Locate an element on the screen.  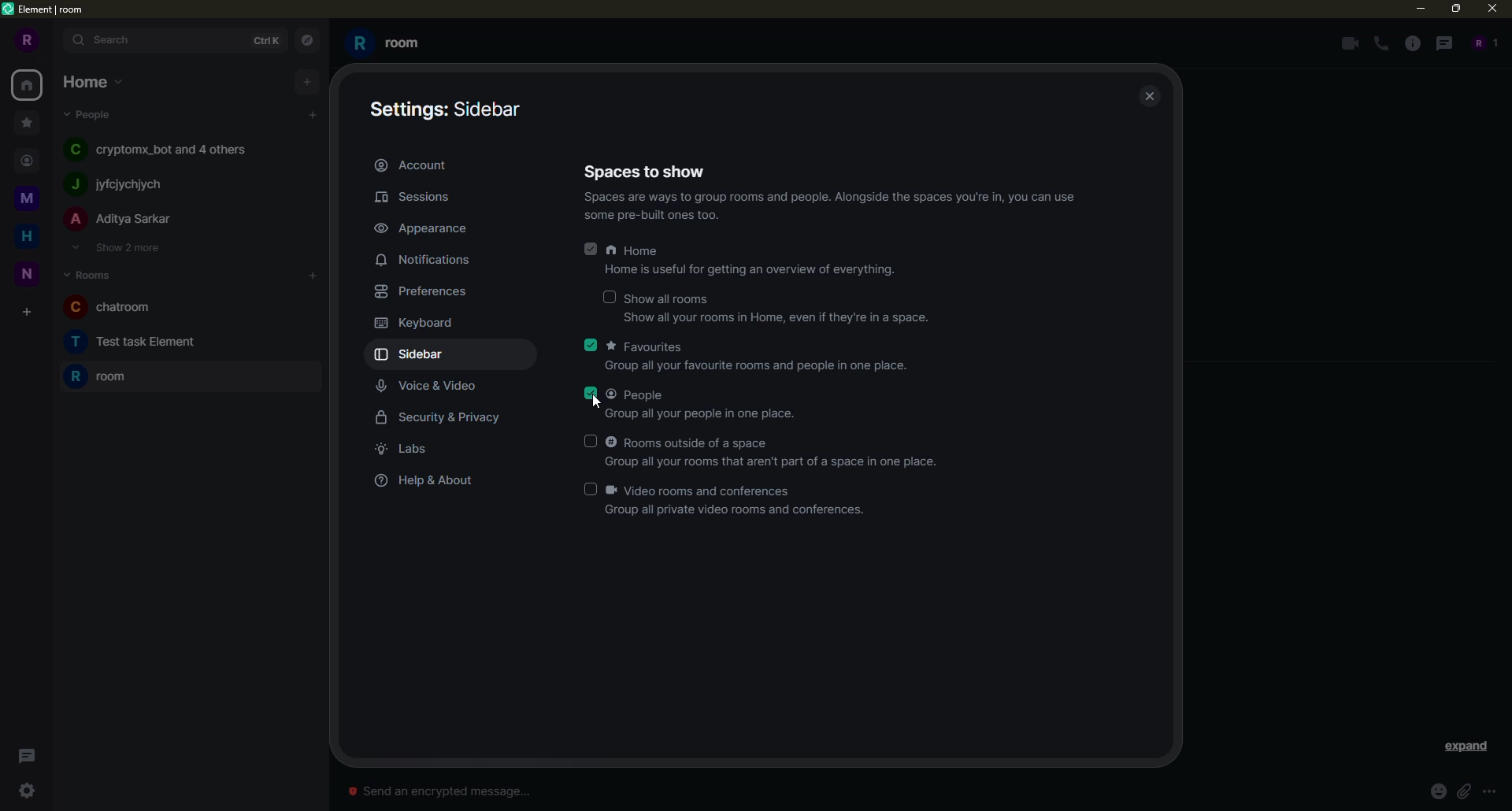
home is located at coordinates (28, 84).